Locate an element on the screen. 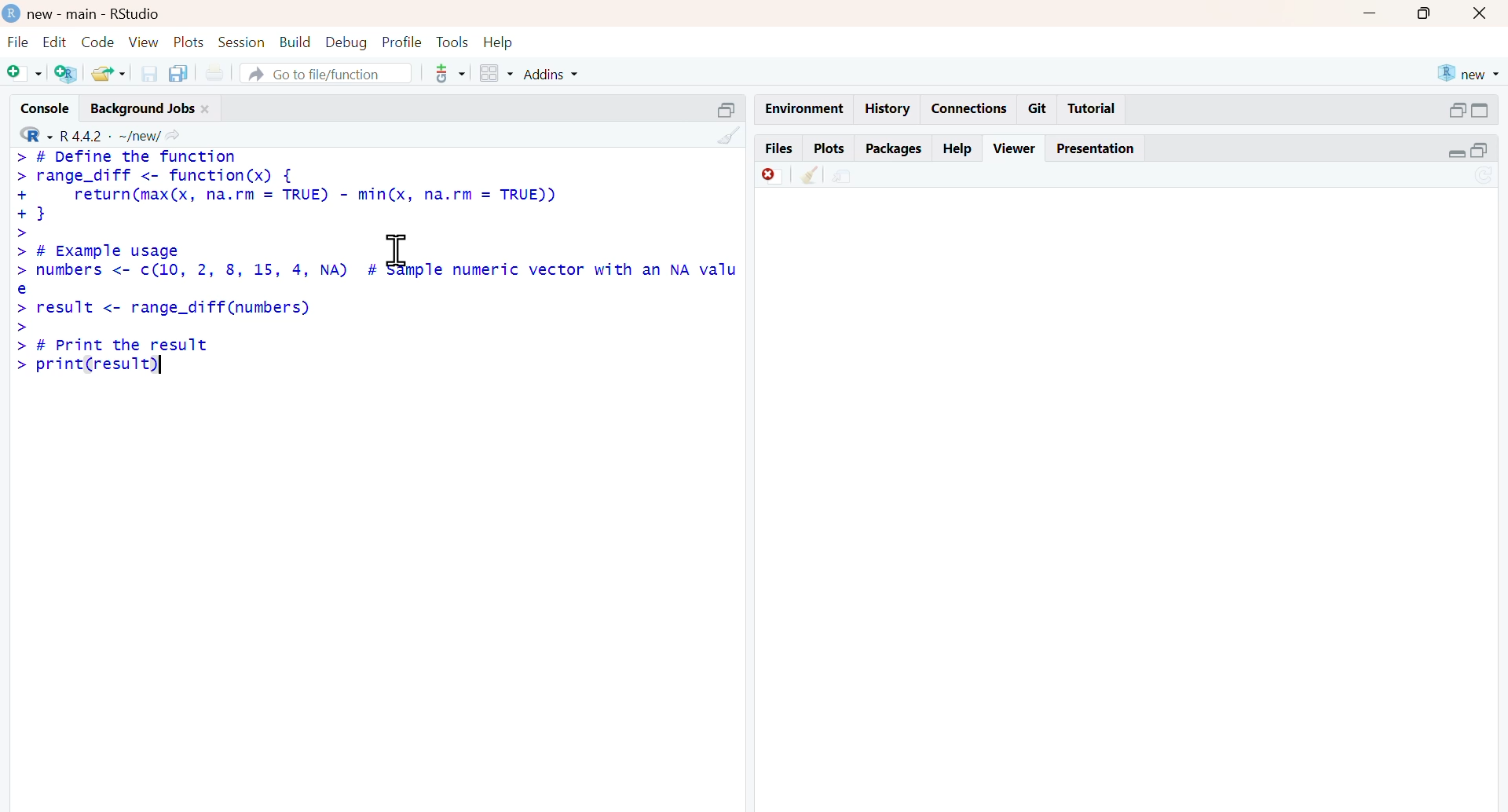 Image resolution: width=1508 pixels, height=812 pixels. share folder as is located at coordinates (110, 73).